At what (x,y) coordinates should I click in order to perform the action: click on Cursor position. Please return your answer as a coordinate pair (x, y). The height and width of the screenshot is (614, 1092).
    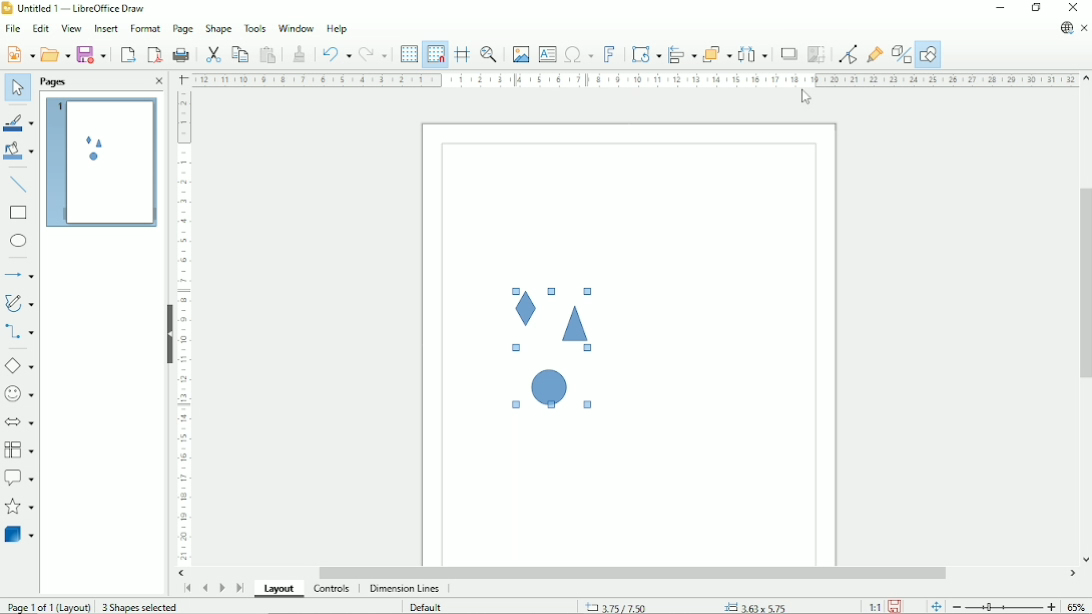
    Looking at the image, I should click on (689, 606).